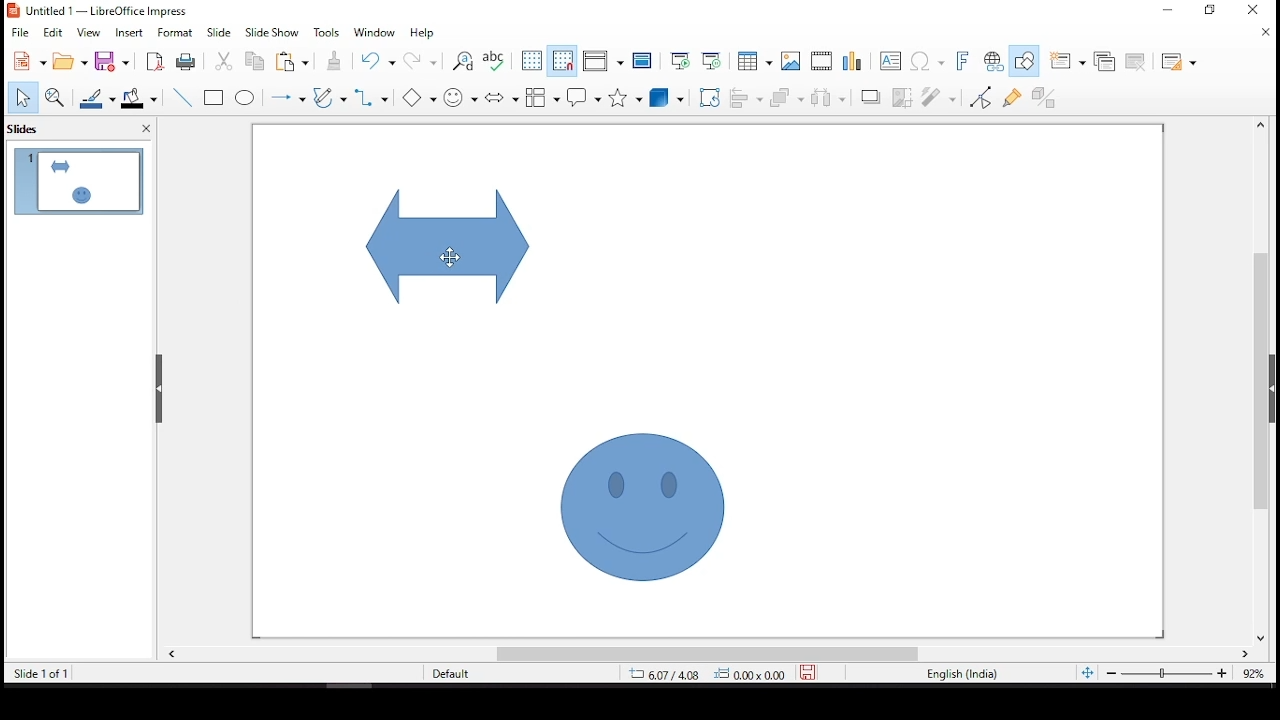  What do you see at coordinates (1252, 674) in the screenshot?
I see `zoom level` at bounding box center [1252, 674].